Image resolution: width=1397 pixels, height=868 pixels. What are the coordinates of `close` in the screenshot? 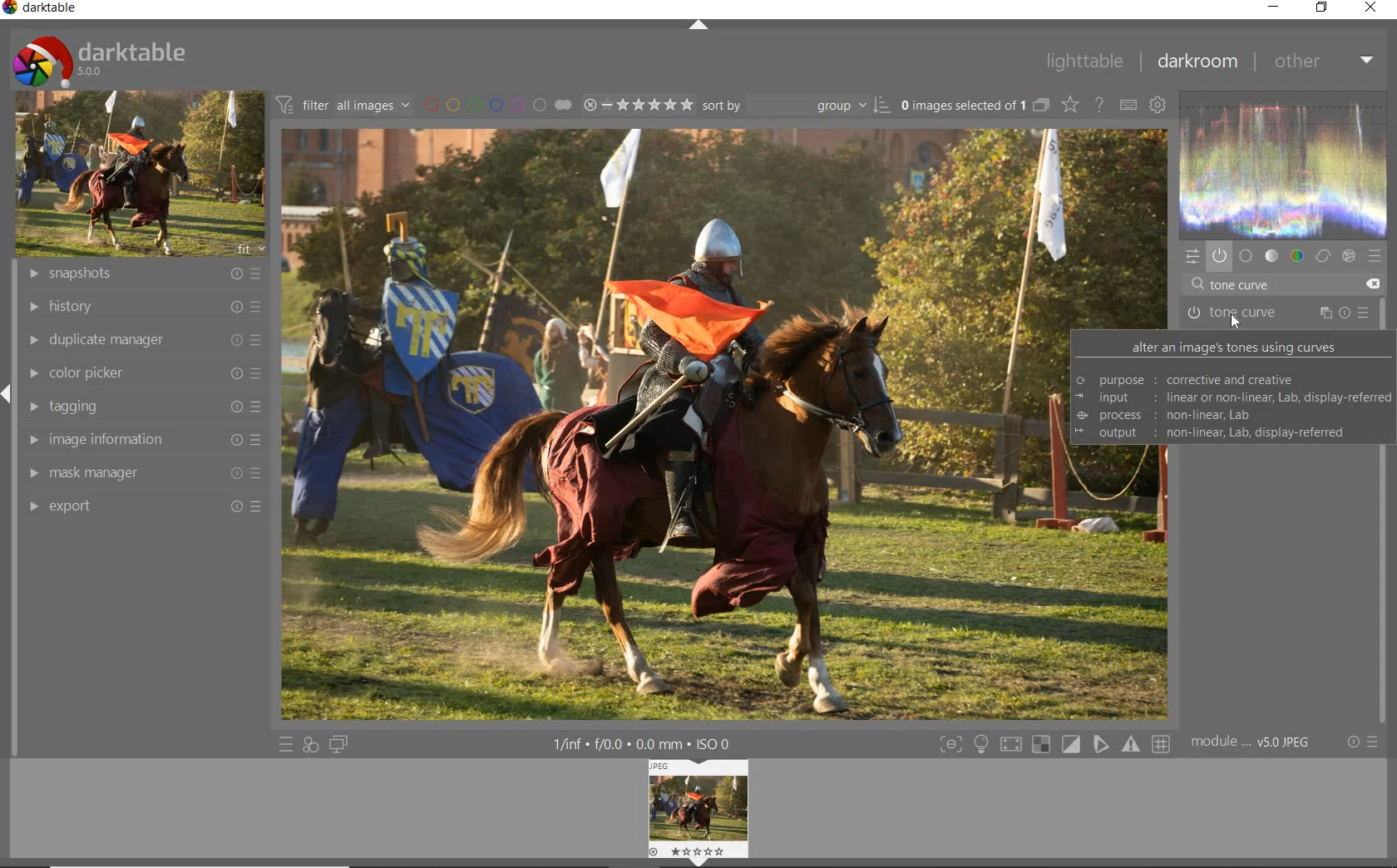 It's located at (1372, 8).